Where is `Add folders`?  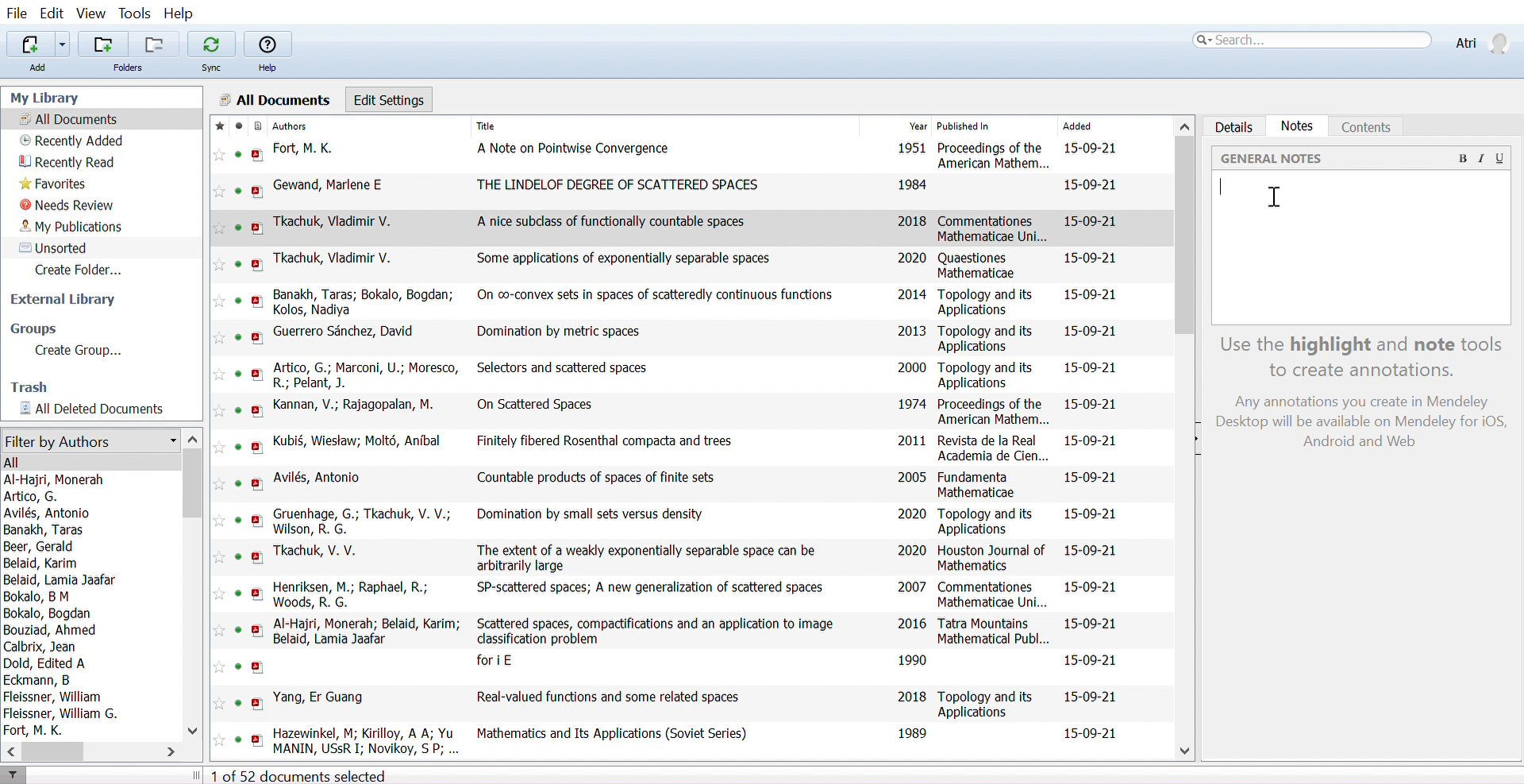
Add folders is located at coordinates (103, 44).